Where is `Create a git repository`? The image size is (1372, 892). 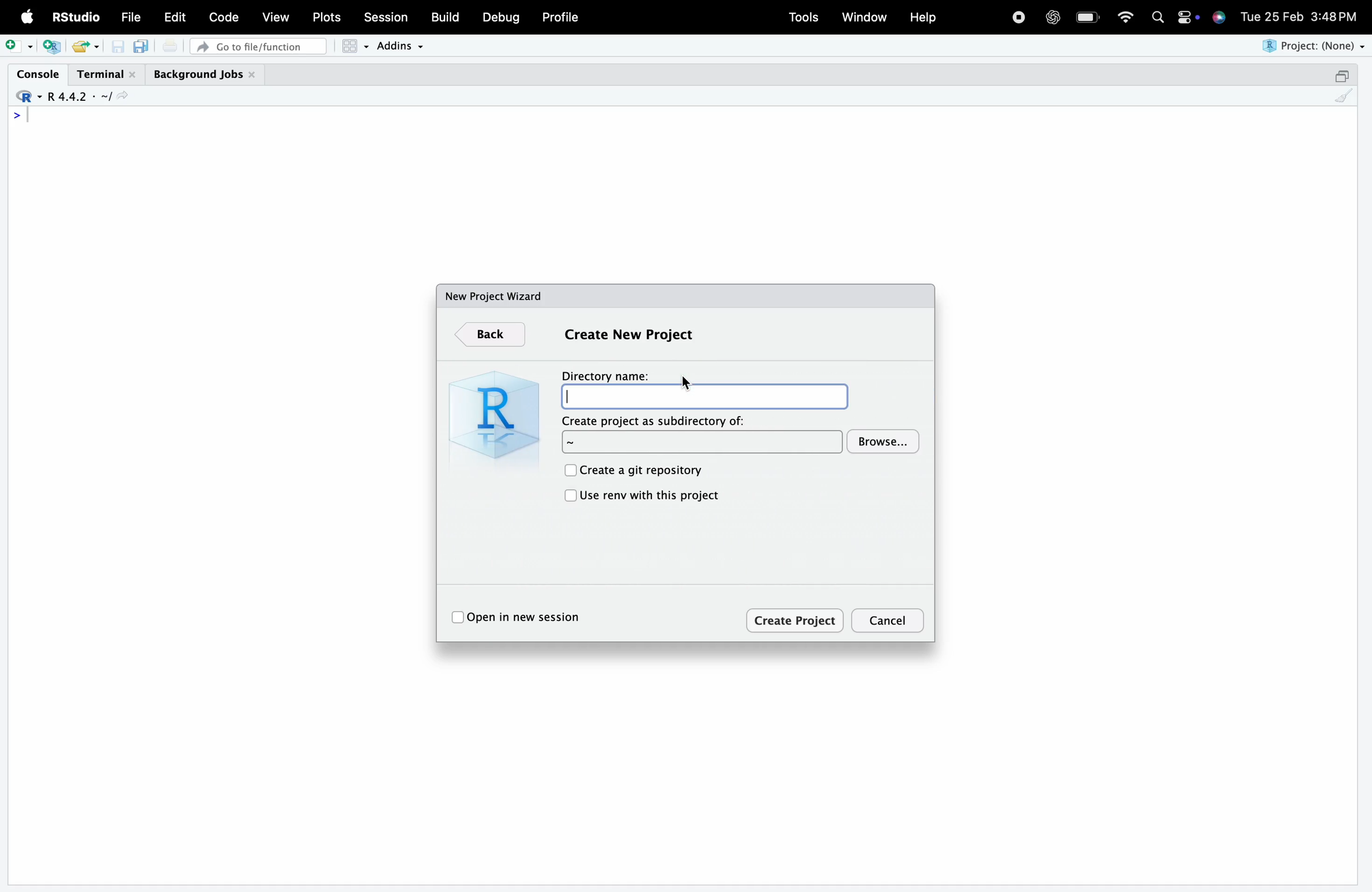 Create a git repository is located at coordinates (643, 471).